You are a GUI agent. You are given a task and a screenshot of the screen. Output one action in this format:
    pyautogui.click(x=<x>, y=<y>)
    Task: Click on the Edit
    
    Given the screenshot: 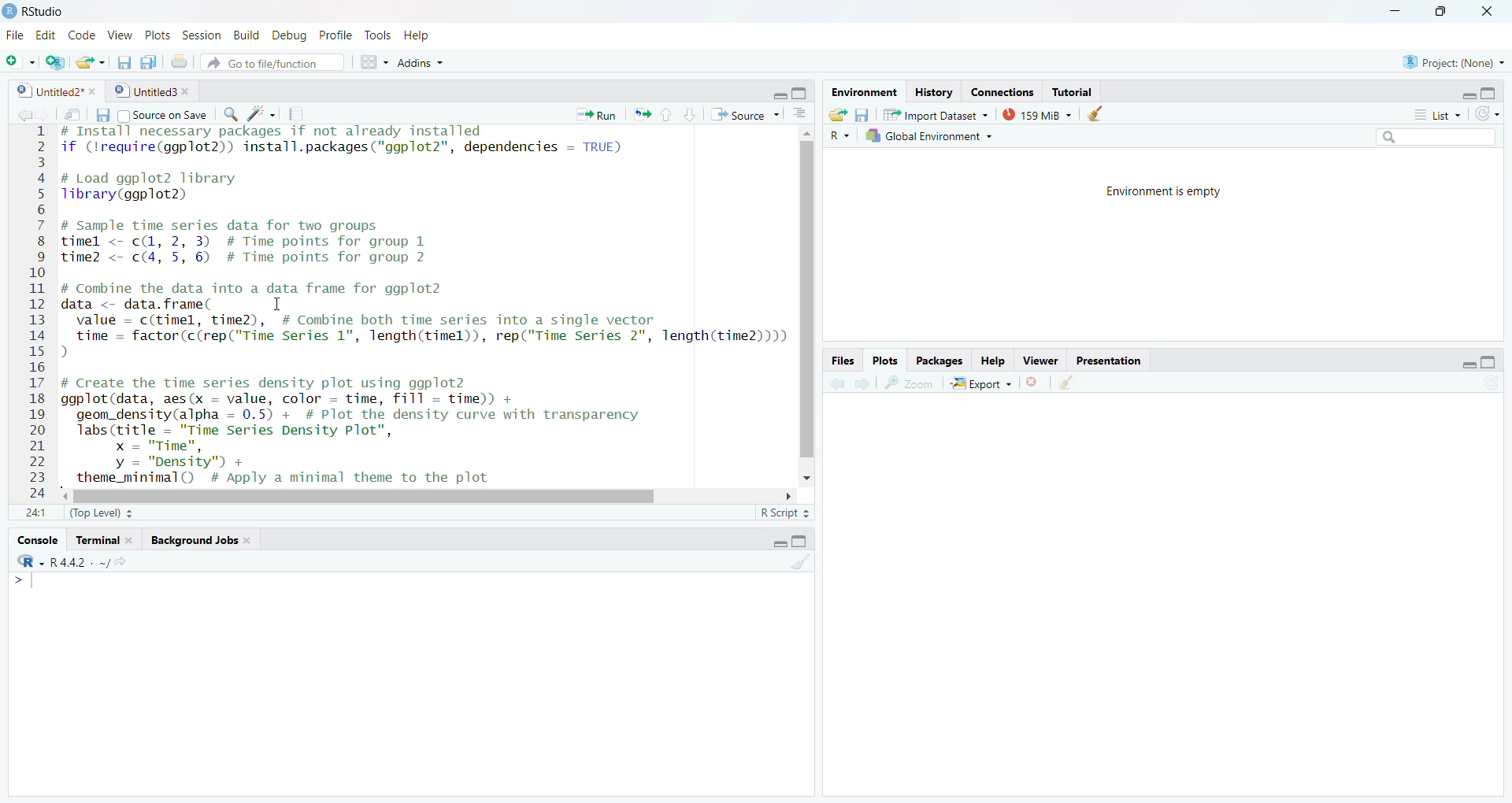 What is the action you would take?
    pyautogui.click(x=46, y=35)
    